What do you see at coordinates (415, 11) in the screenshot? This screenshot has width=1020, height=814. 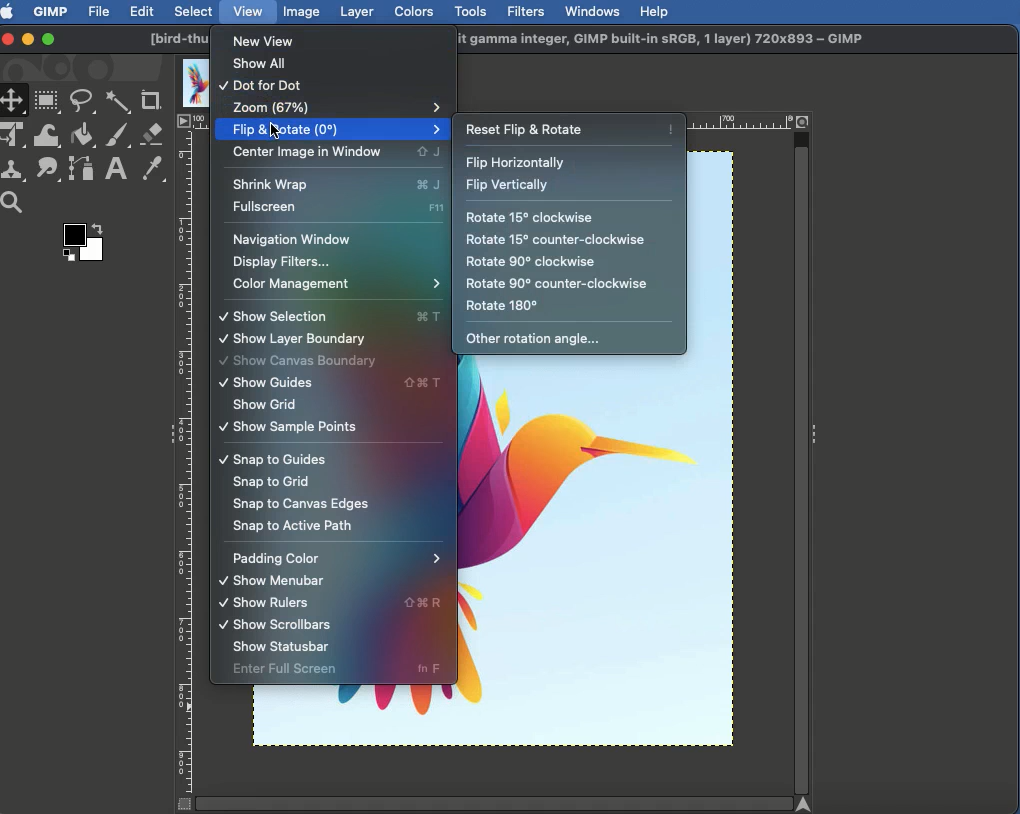 I see `Colors` at bounding box center [415, 11].